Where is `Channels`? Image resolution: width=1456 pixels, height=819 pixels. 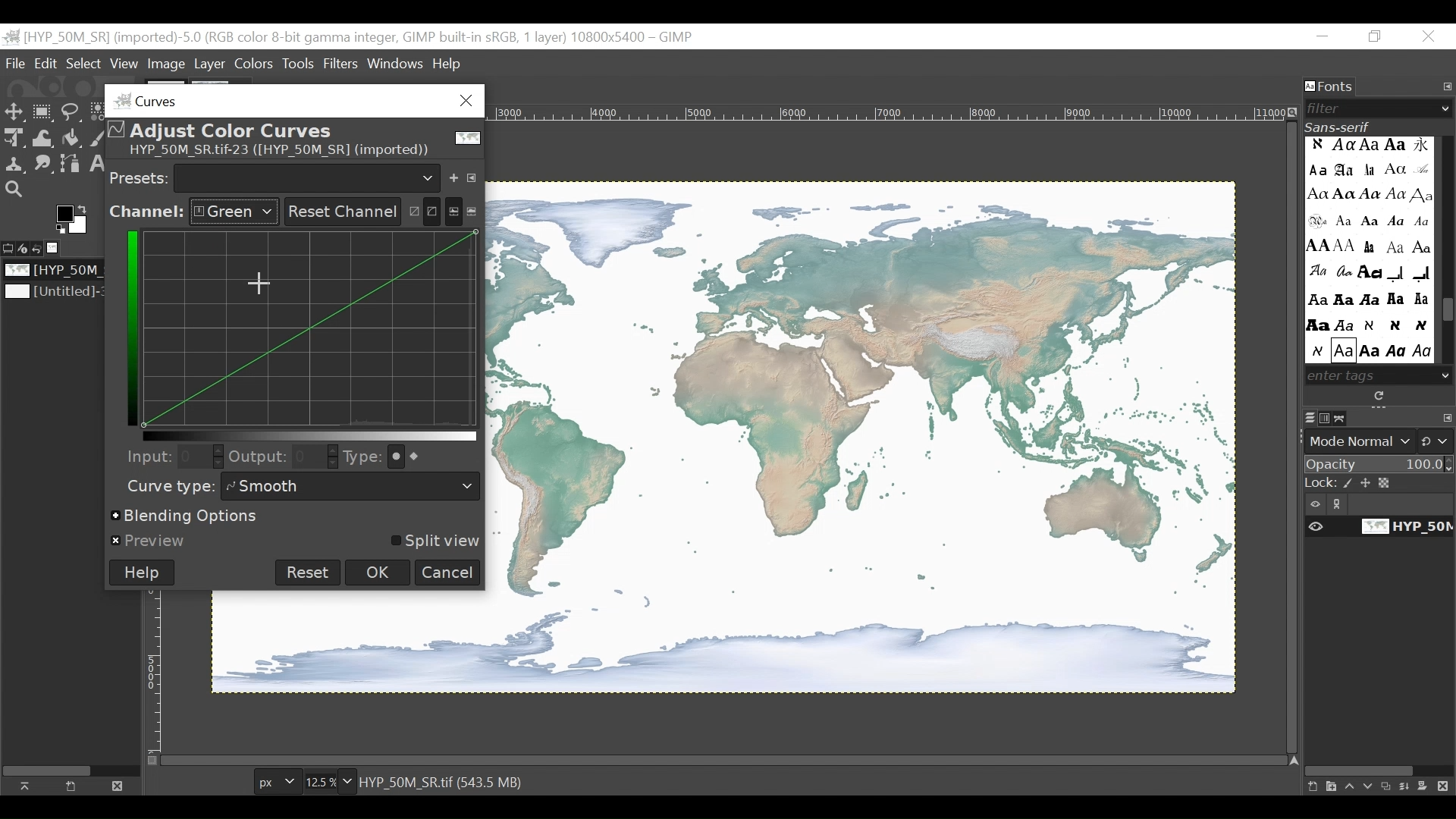 Channels is located at coordinates (1328, 418).